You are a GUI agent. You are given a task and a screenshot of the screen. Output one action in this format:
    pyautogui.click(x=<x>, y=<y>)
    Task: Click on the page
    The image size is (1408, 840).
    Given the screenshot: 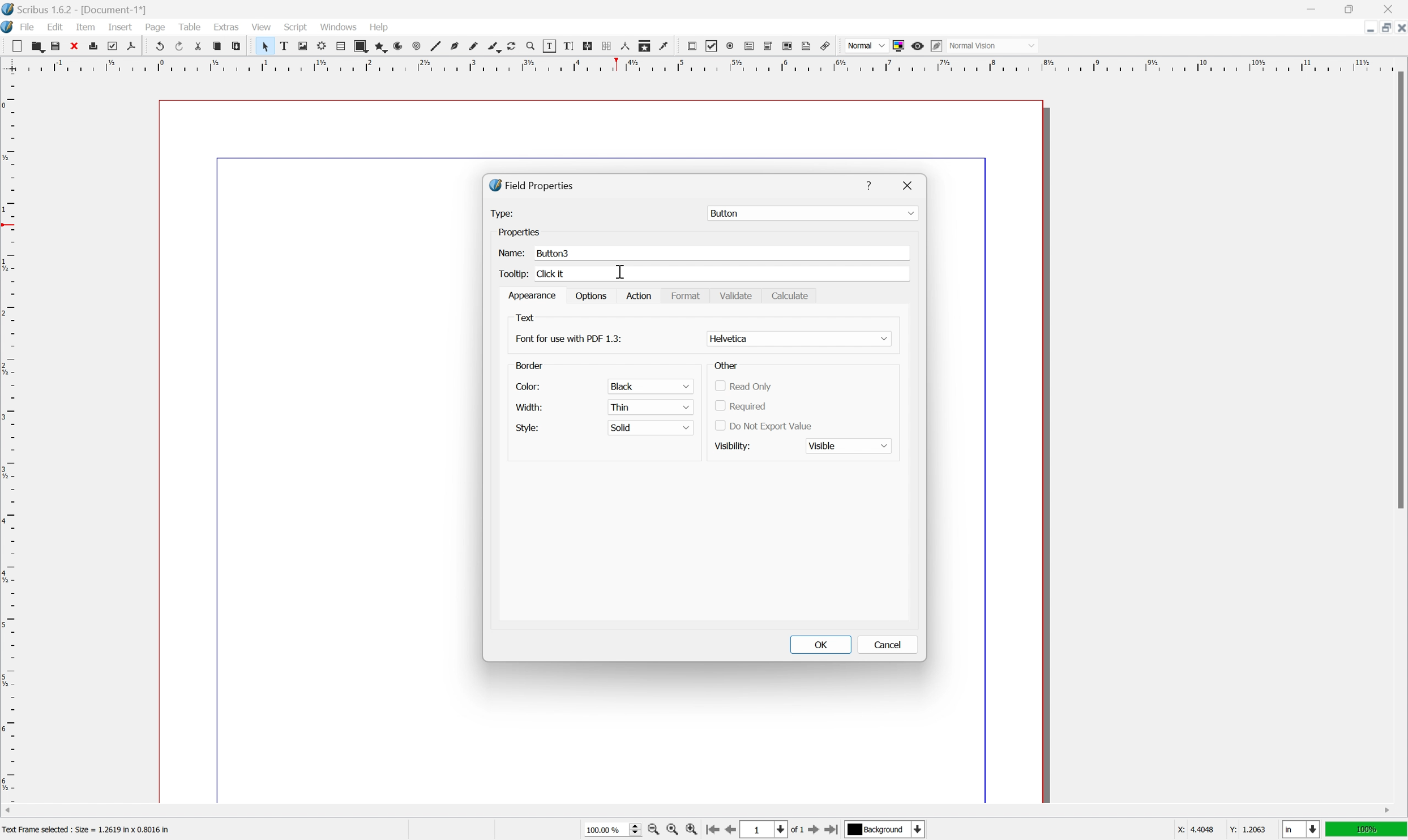 What is the action you would take?
    pyautogui.click(x=156, y=28)
    